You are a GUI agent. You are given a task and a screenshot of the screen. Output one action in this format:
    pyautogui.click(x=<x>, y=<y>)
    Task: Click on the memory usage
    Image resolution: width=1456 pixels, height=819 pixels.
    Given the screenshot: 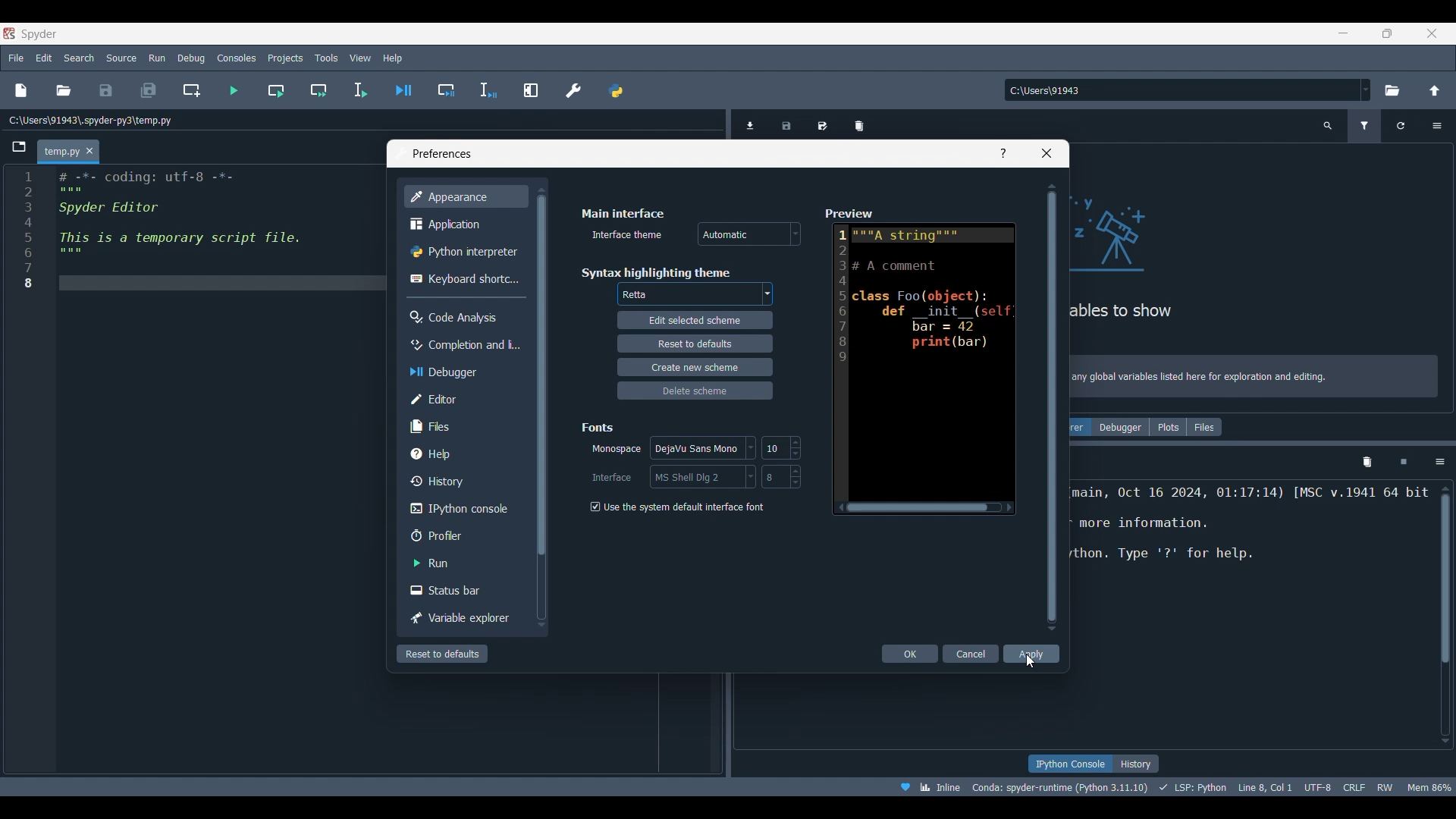 What is the action you would take?
    pyautogui.click(x=1429, y=786)
    